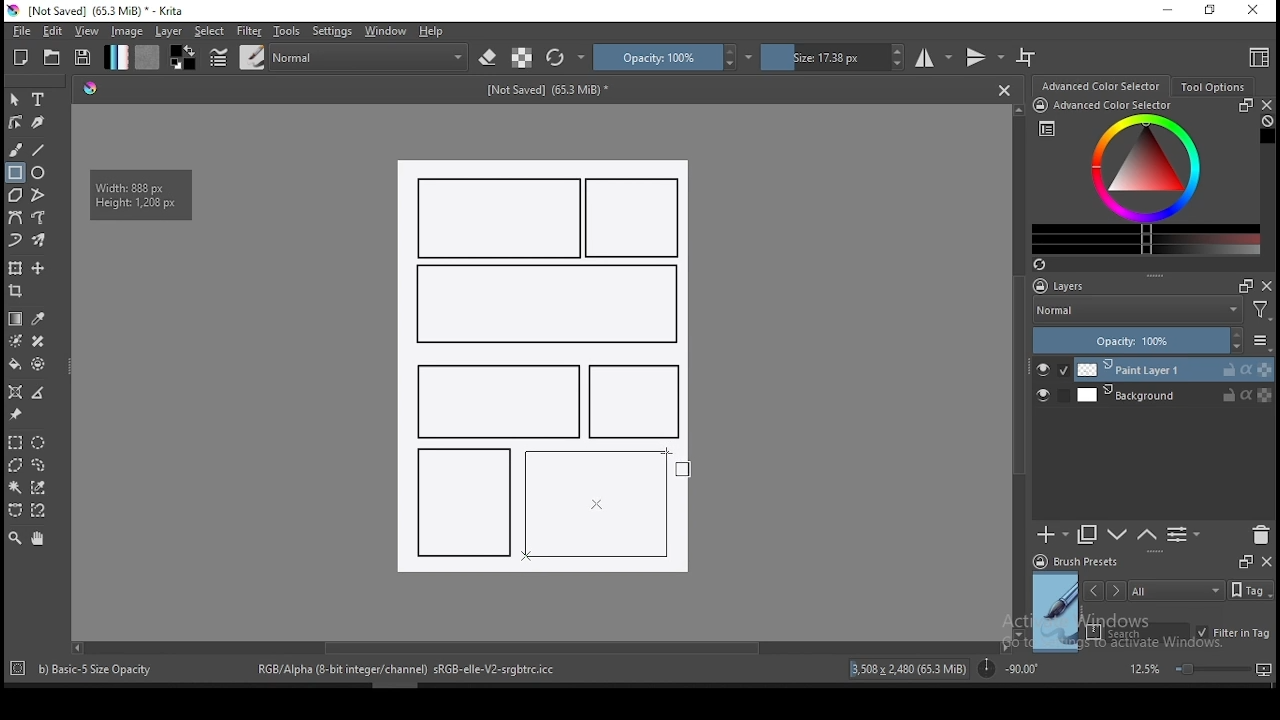 The width and height of the screenshot is (1280, 720). I want to click on reference images tool, so click(14, 415).